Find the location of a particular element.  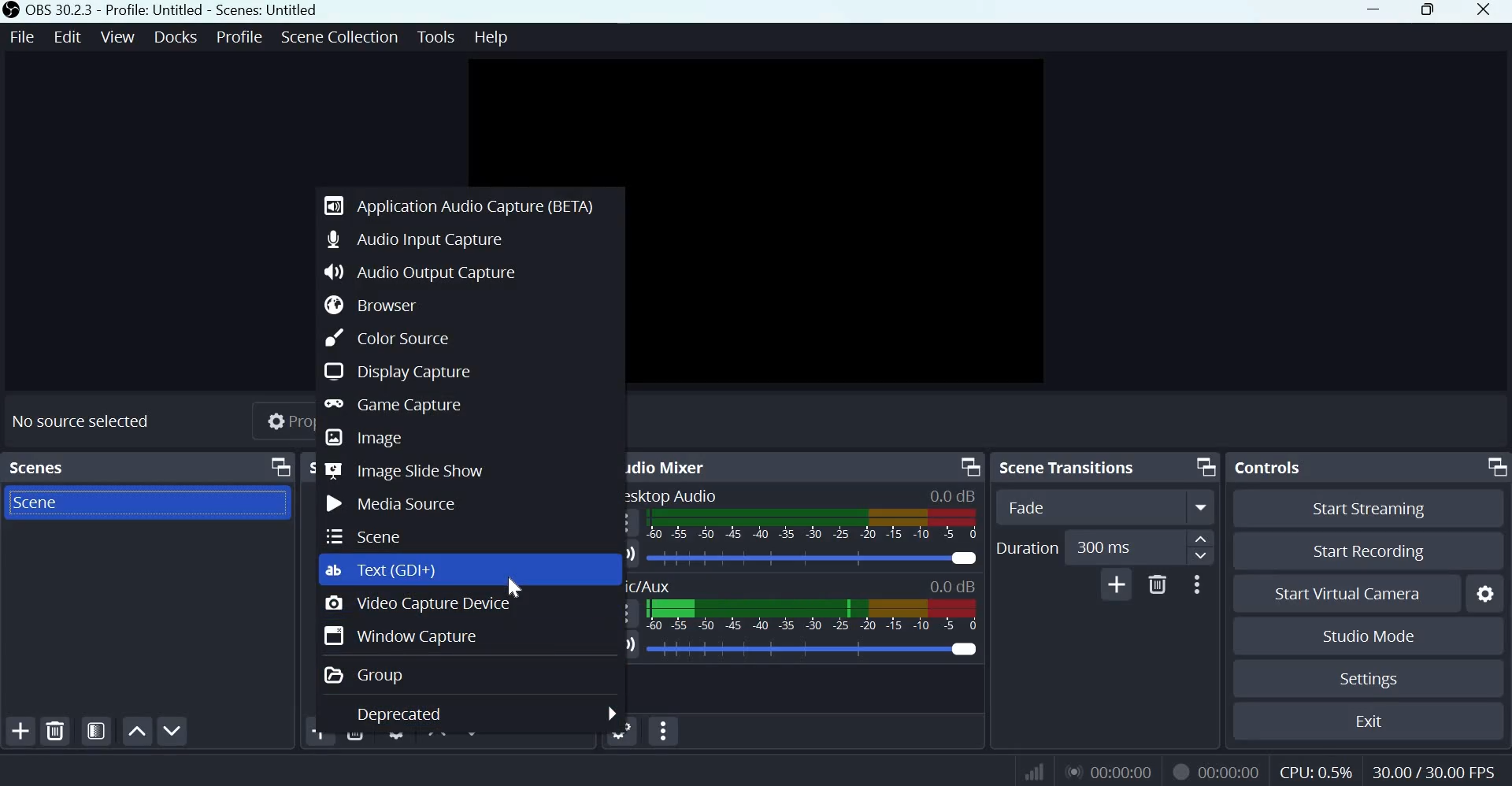

Start virtual camera is located at coordinates (1354, 594).